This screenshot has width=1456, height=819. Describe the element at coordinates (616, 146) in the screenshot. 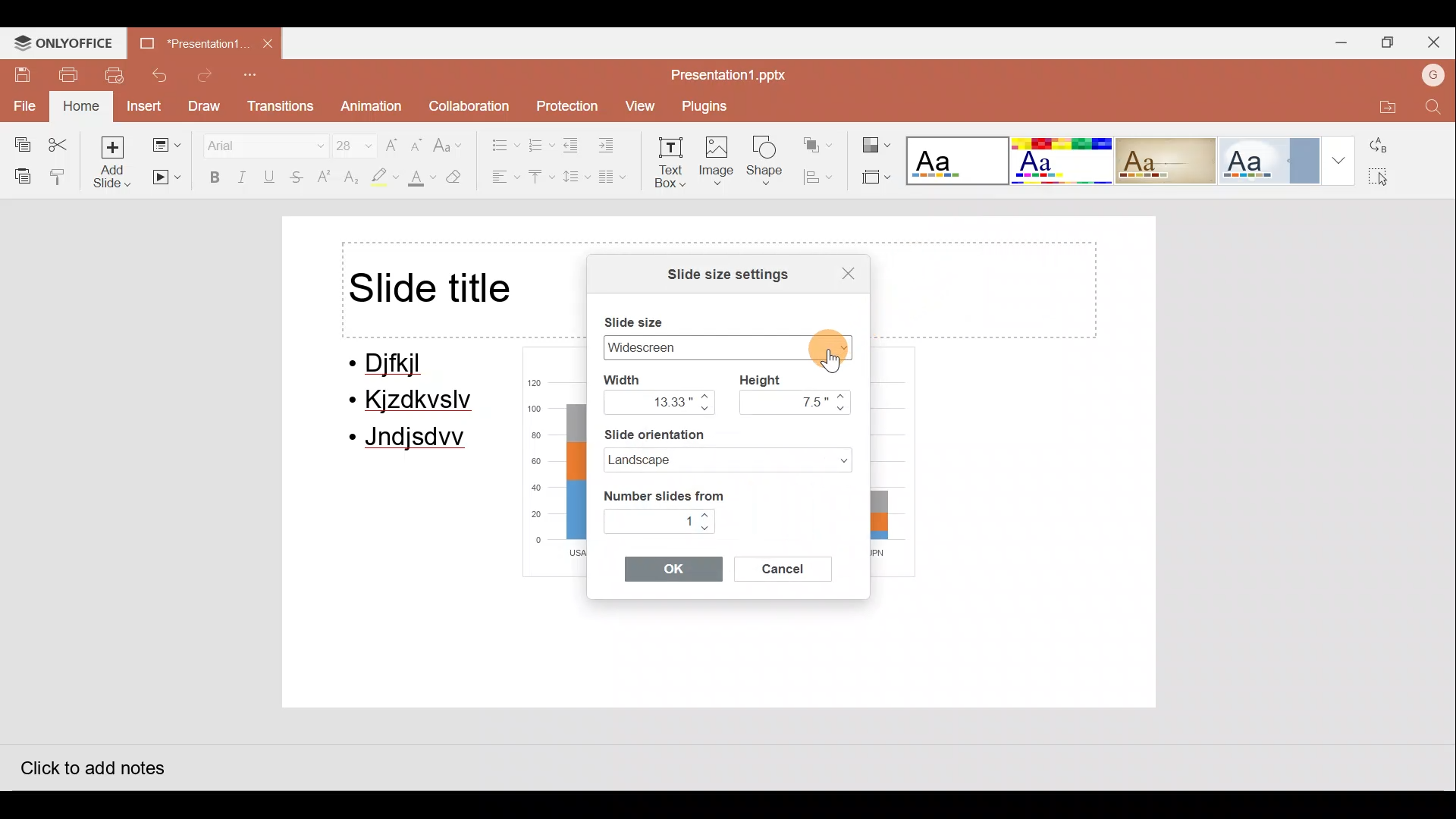

I see `Increase indent` at that location.